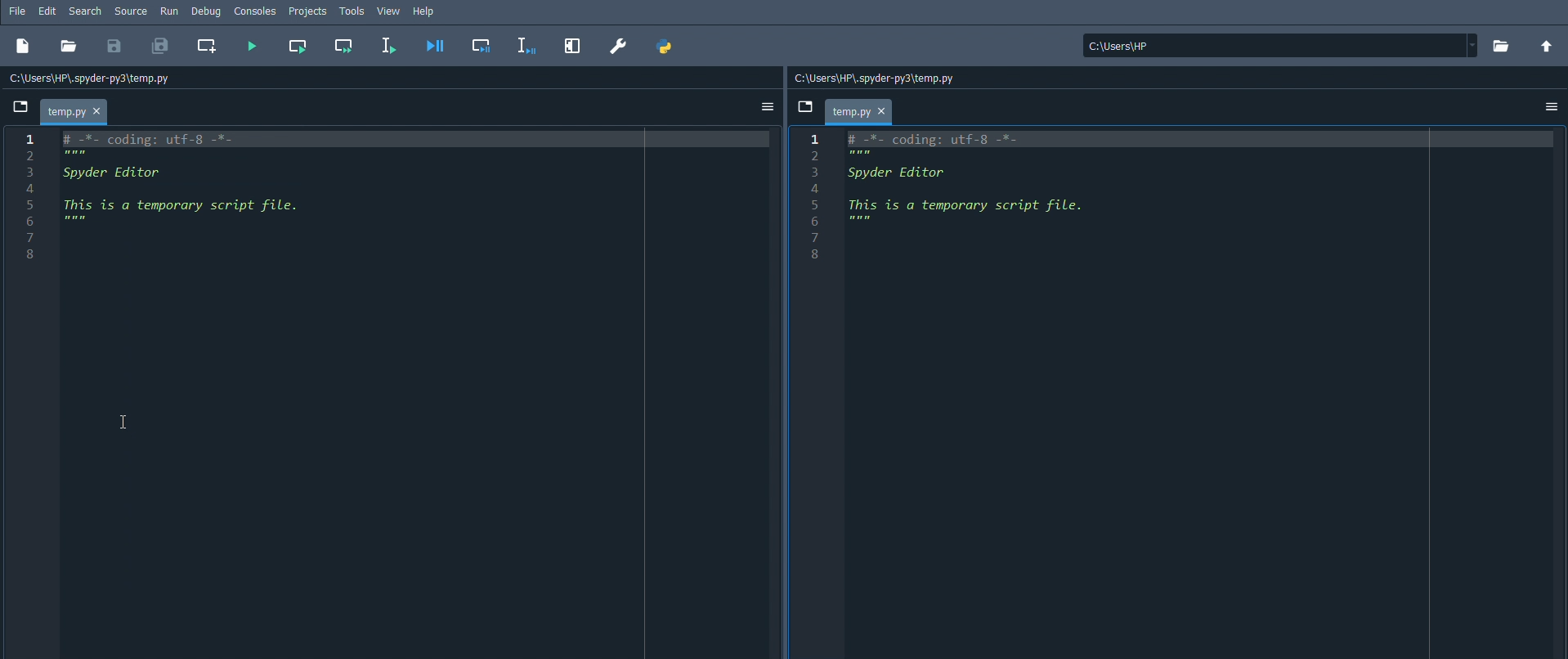 This screenshot has width=1568, height=659. I want to click on Change to working directory, so click(1548, 46).